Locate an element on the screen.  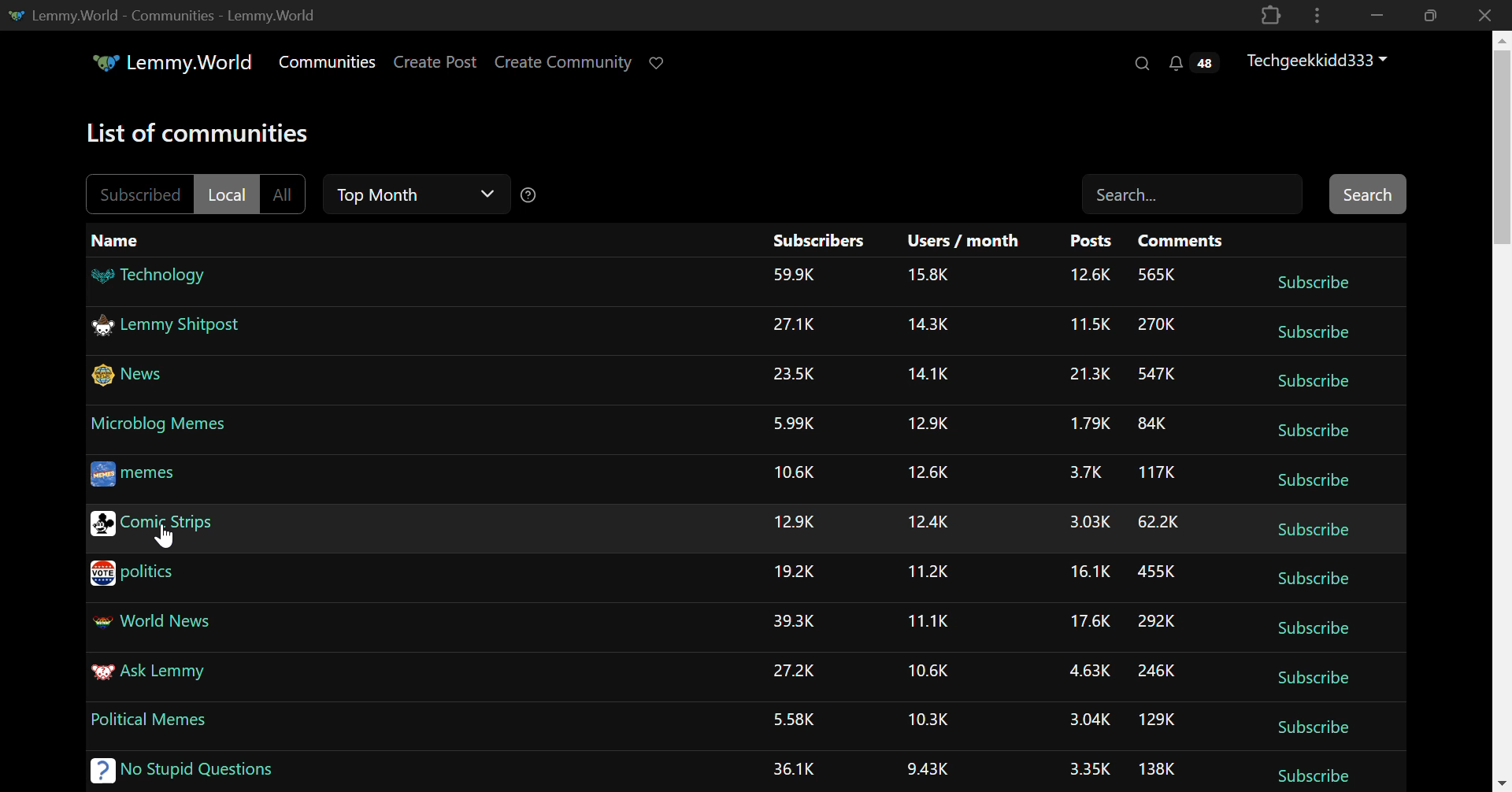
21.3K is located at coordinates (1088, 371).